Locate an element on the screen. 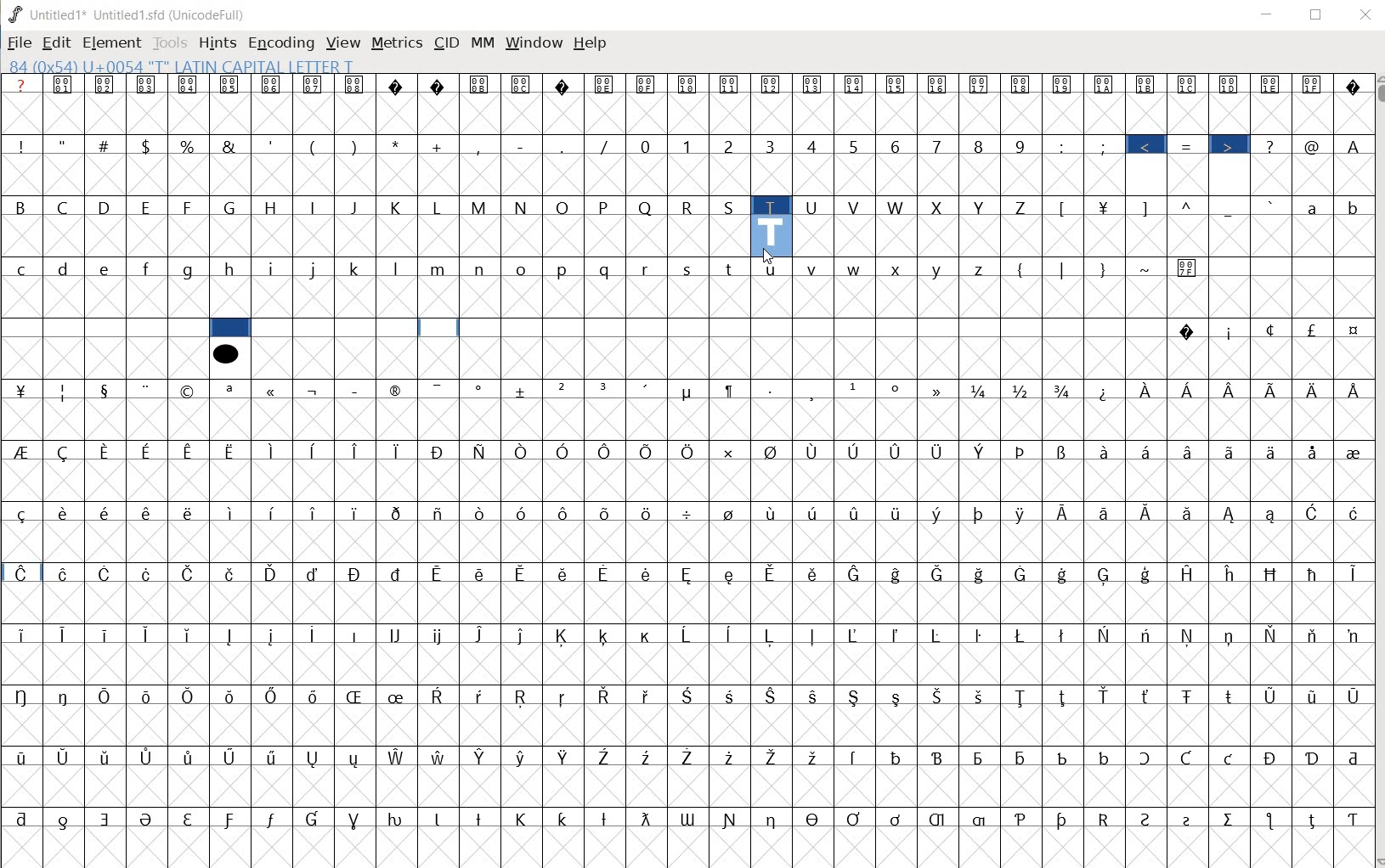 Image resolution: width=1385 pixels, height=868 pixels. Symbol is located at coordinates (565, 572).